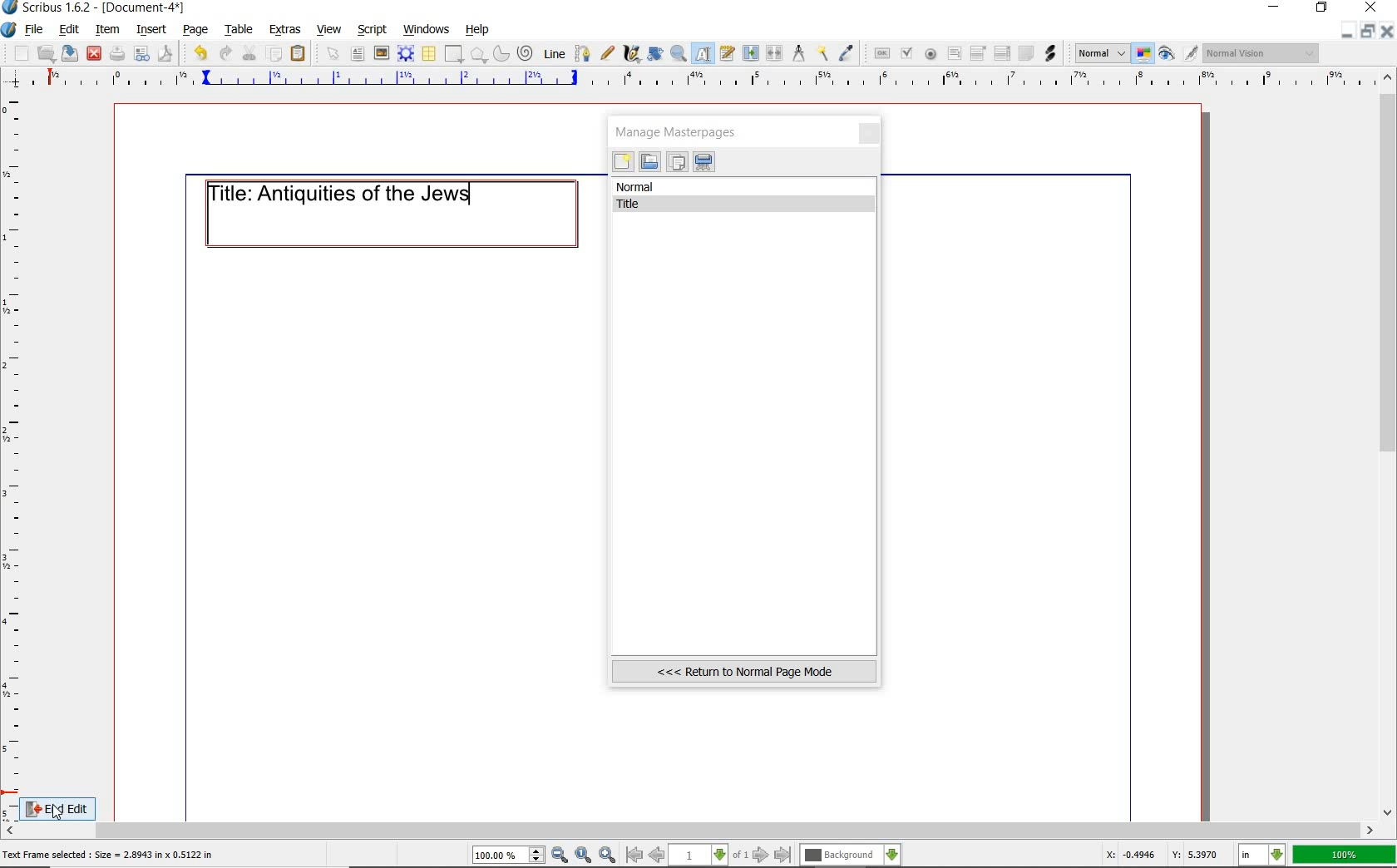  I want to click on table, so click(428, 54).